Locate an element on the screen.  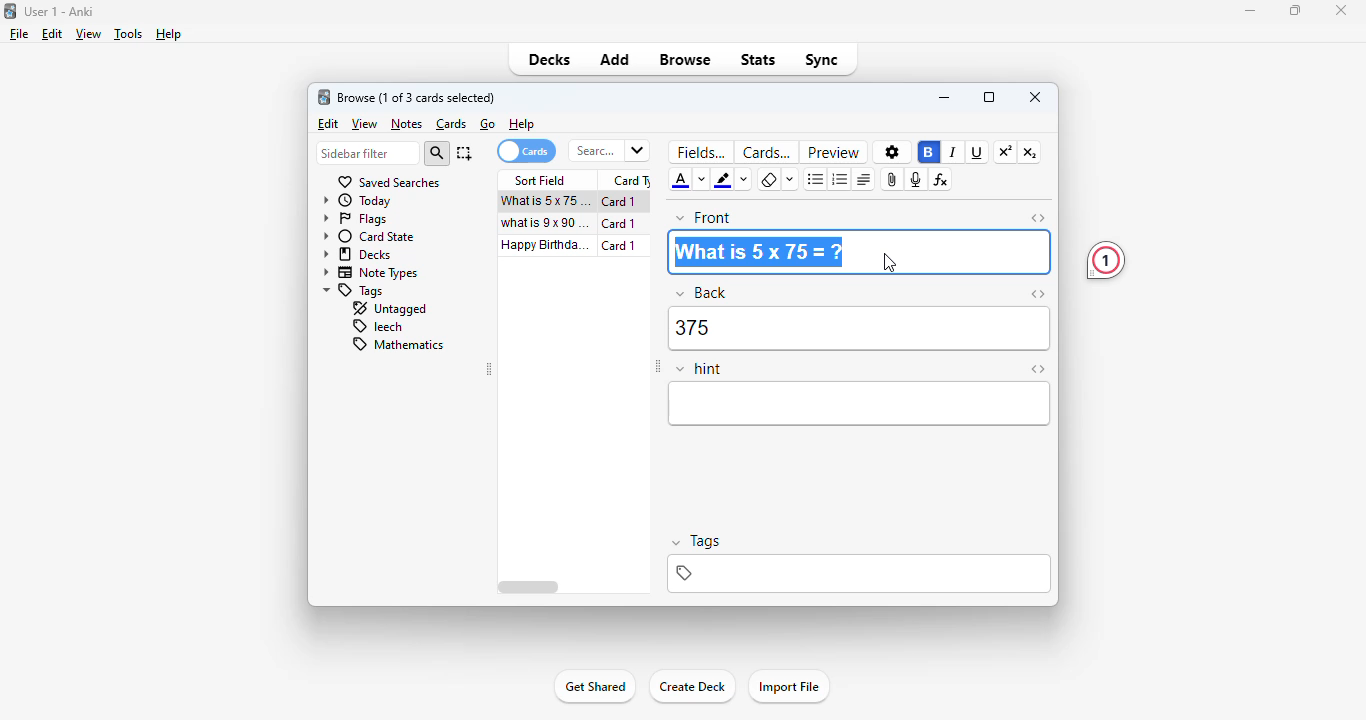
minimize is located at coordinates (944, 98).